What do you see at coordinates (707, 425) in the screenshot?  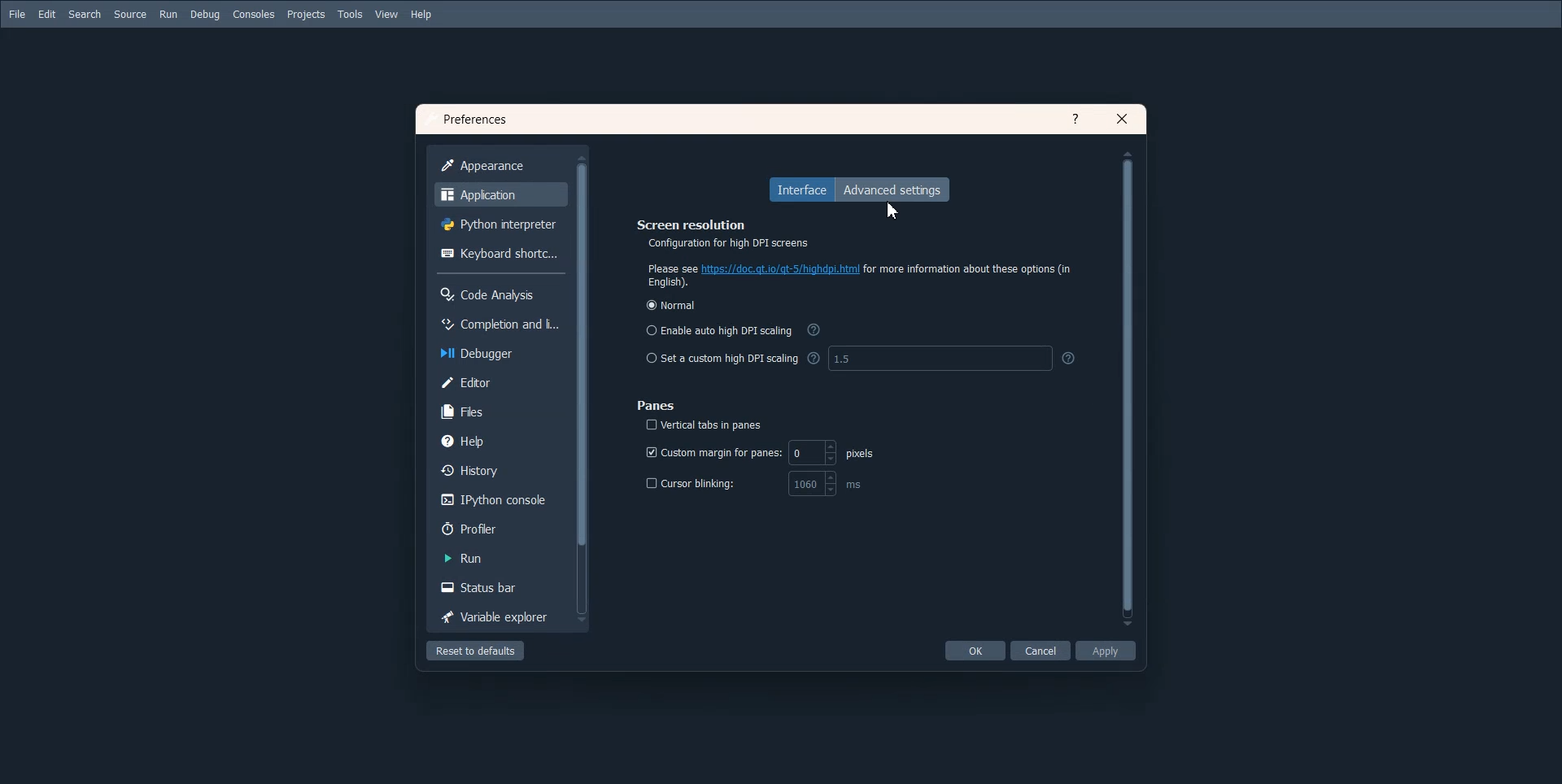 I see `Vertical tabs in panes` at bounding box center [707, 425].